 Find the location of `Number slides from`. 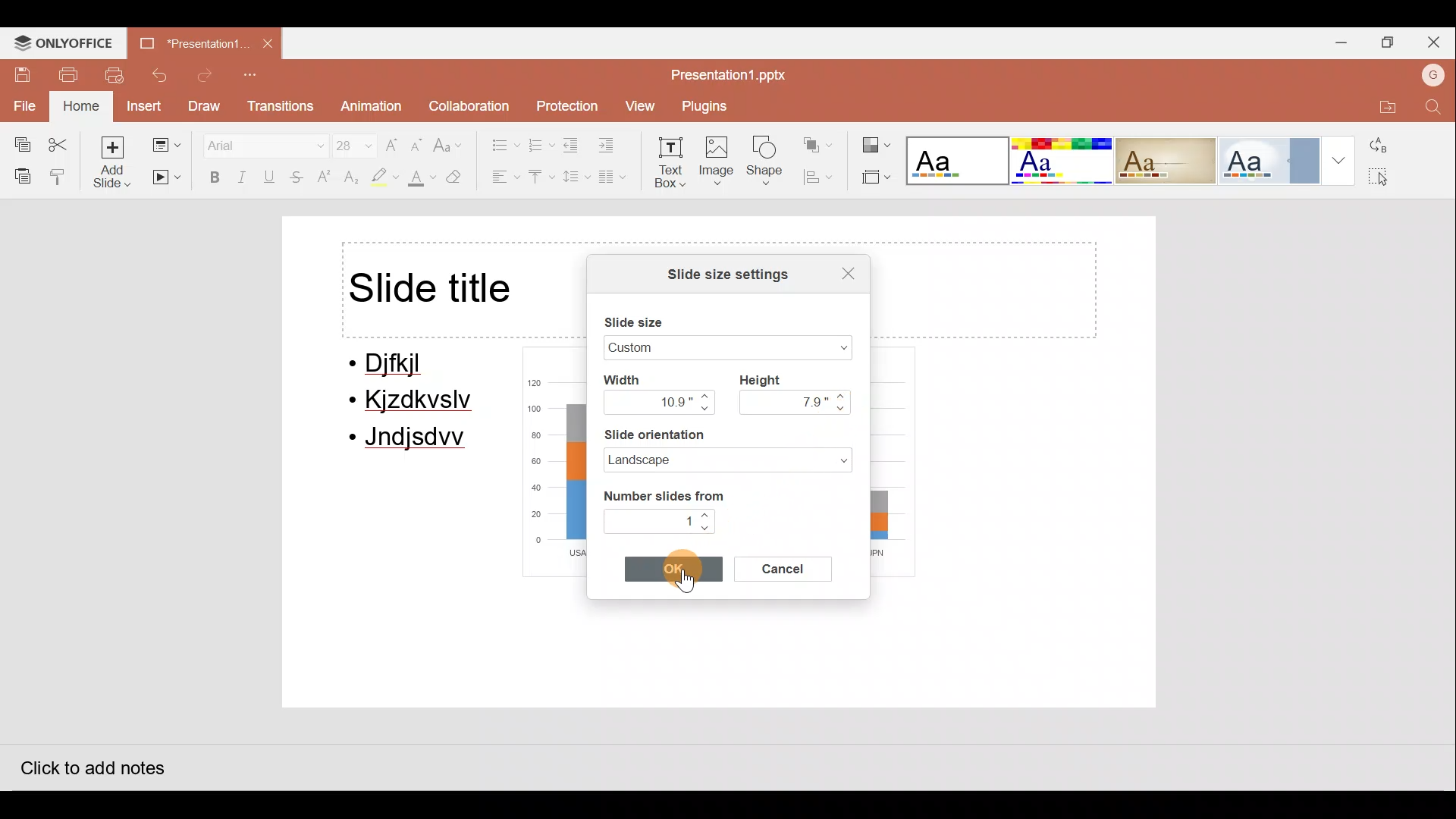

Number slides from is located at coordinates (662, 493).